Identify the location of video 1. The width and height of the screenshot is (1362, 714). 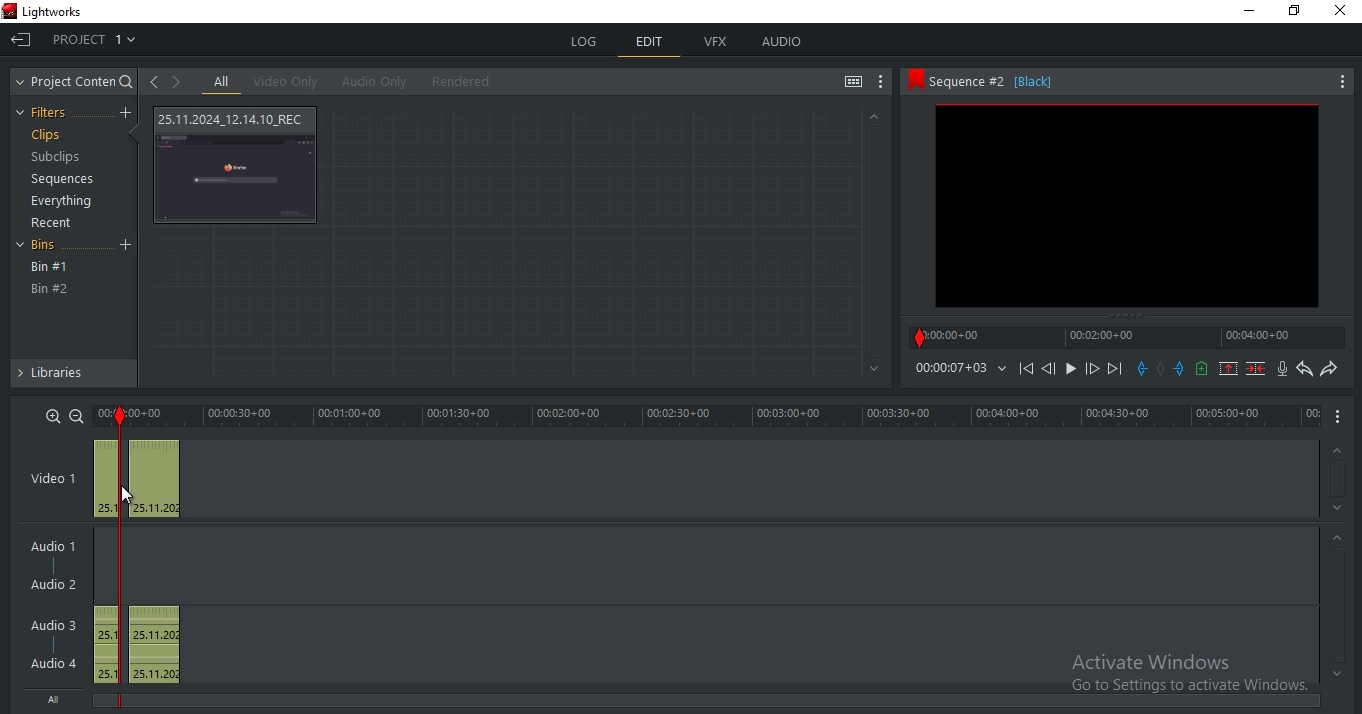
(53, 476).